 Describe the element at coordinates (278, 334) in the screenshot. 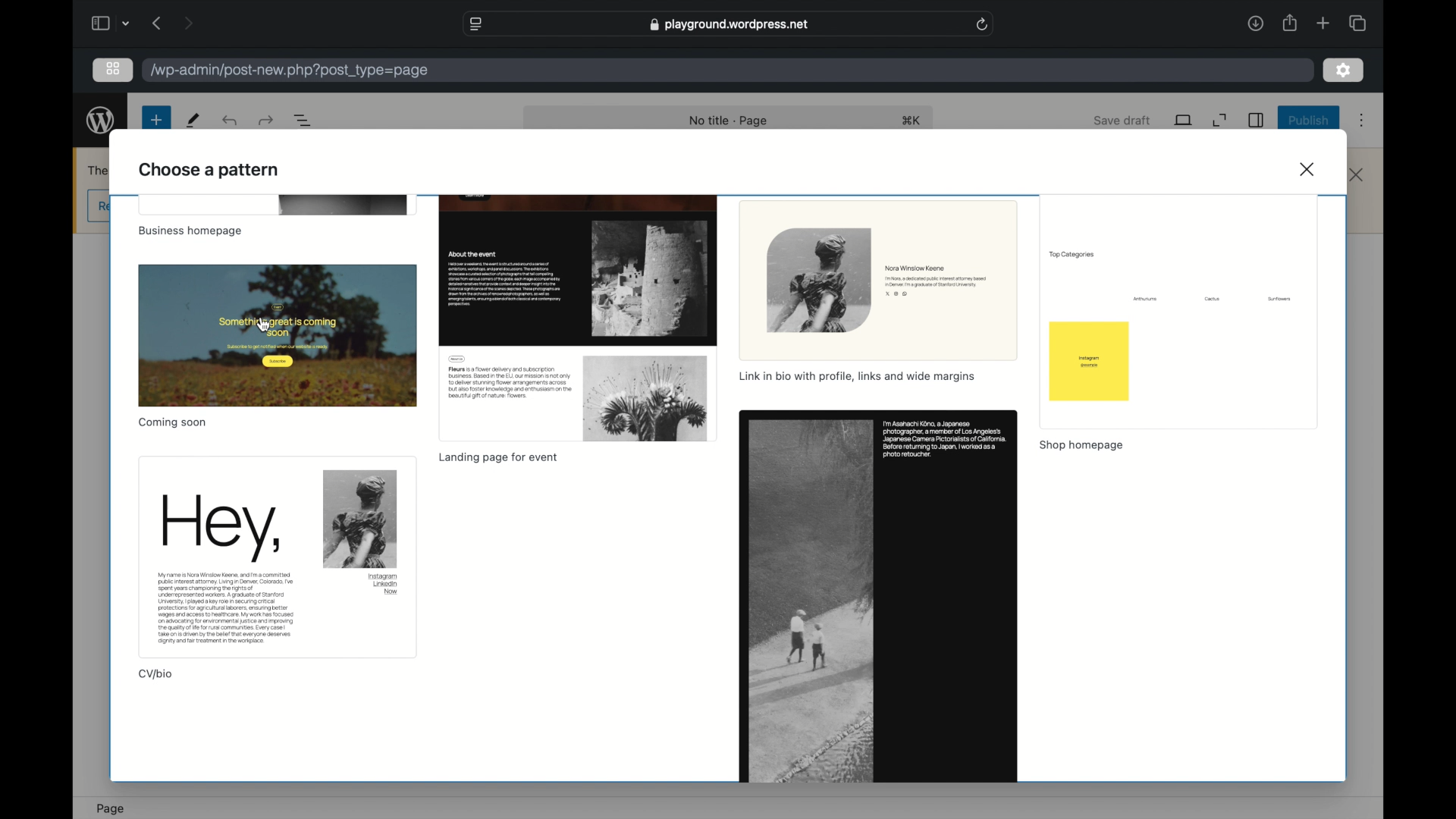

I see `preview` at that location.